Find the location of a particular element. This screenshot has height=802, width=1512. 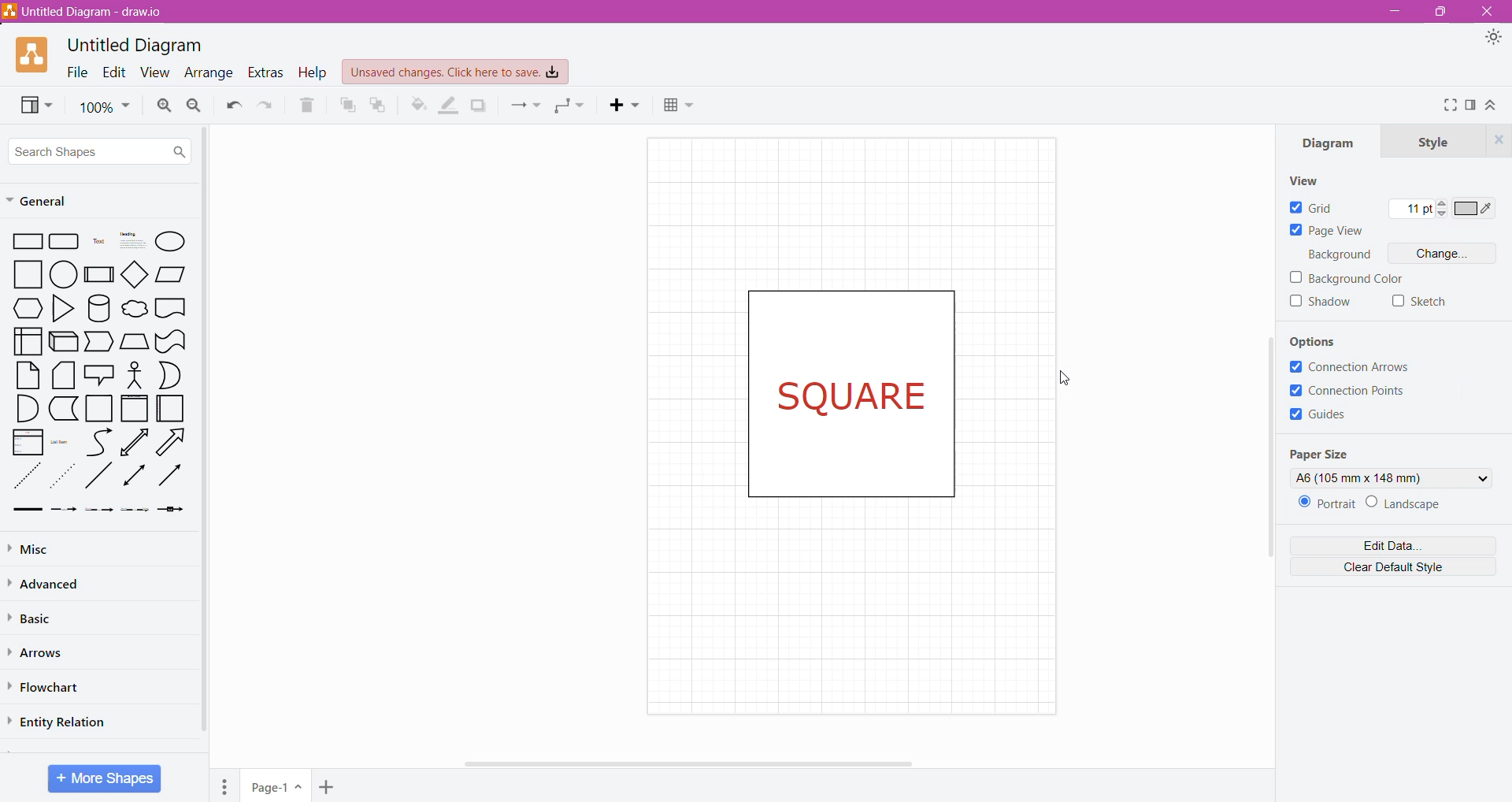

Fill Color is located at coordinates (417, 105).